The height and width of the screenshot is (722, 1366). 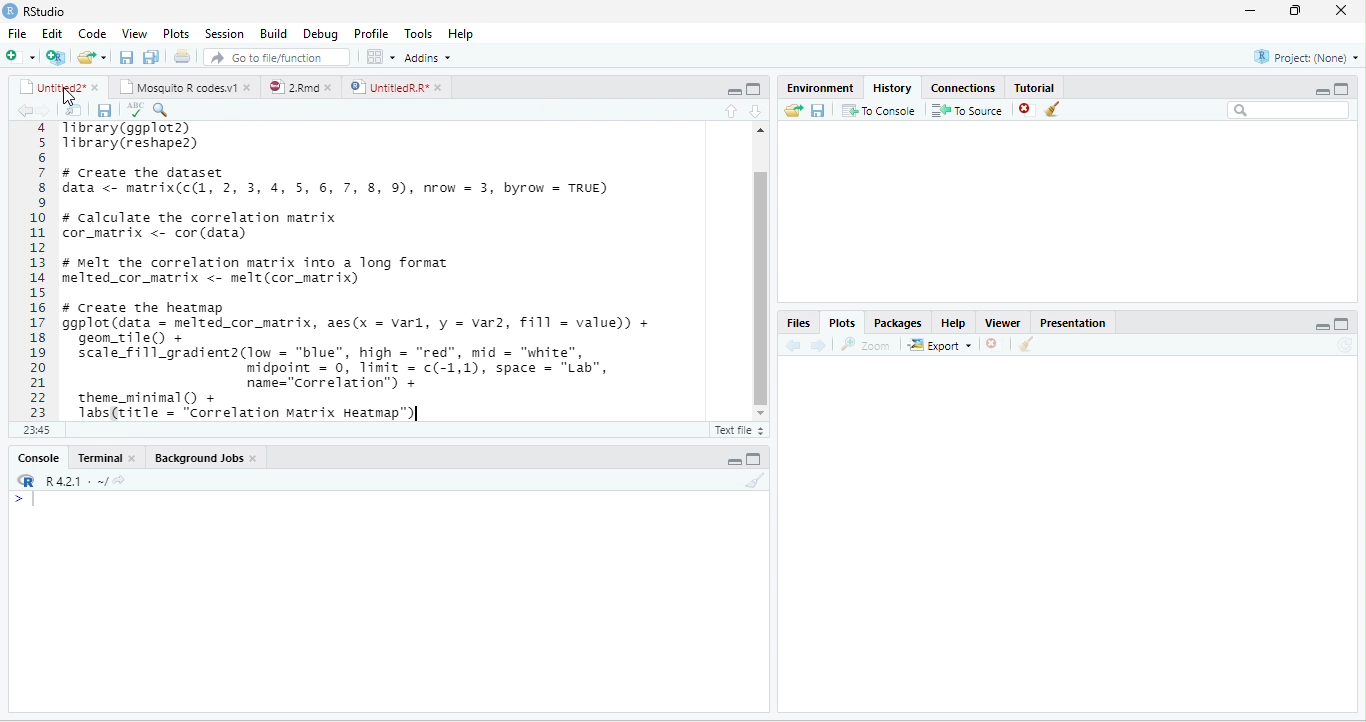 What do you see at coordinates (92, 59) in the screenshot?
I see `end file` at bounding box center [92, 59].